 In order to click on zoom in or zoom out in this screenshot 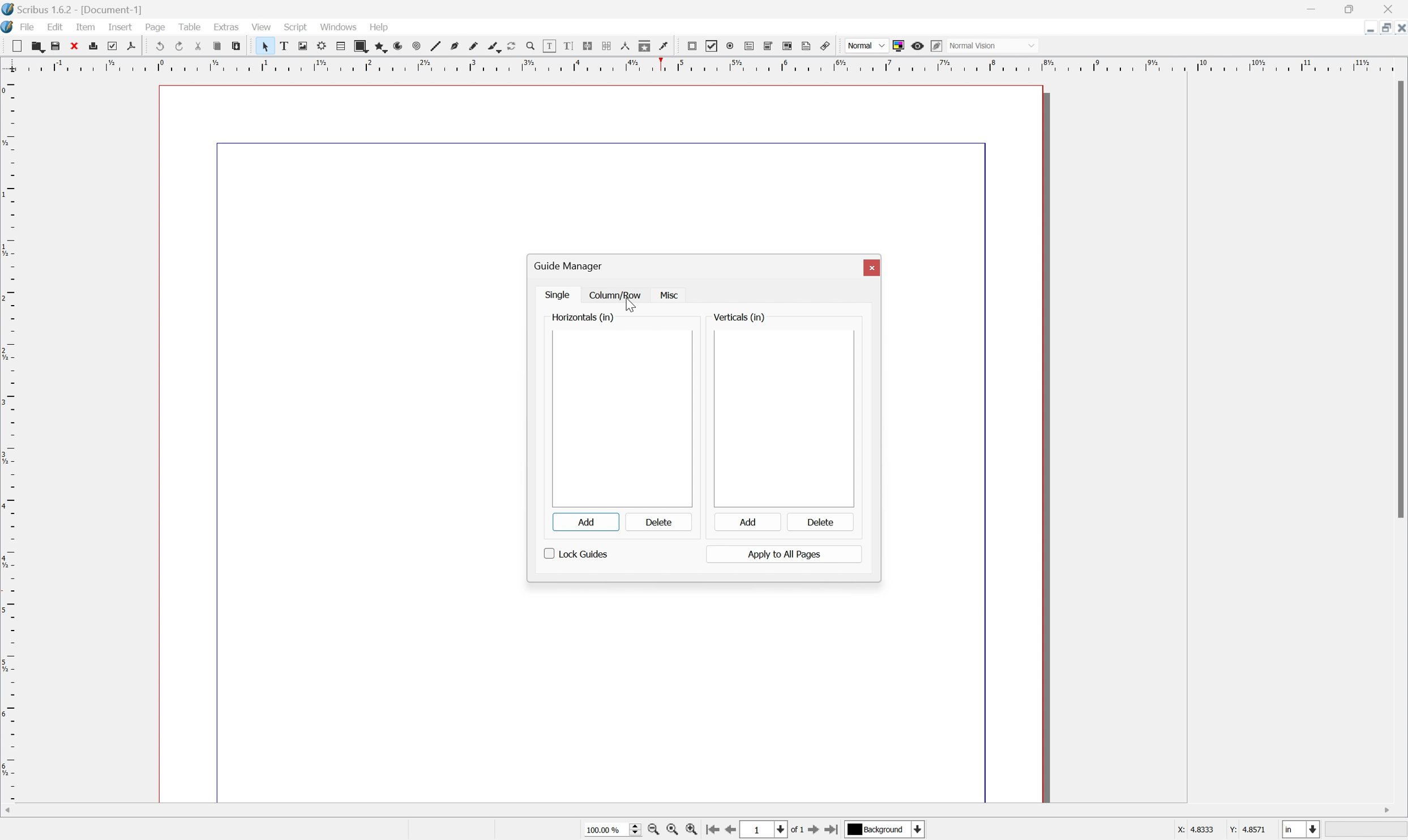, I will do `click(530, 45)`.